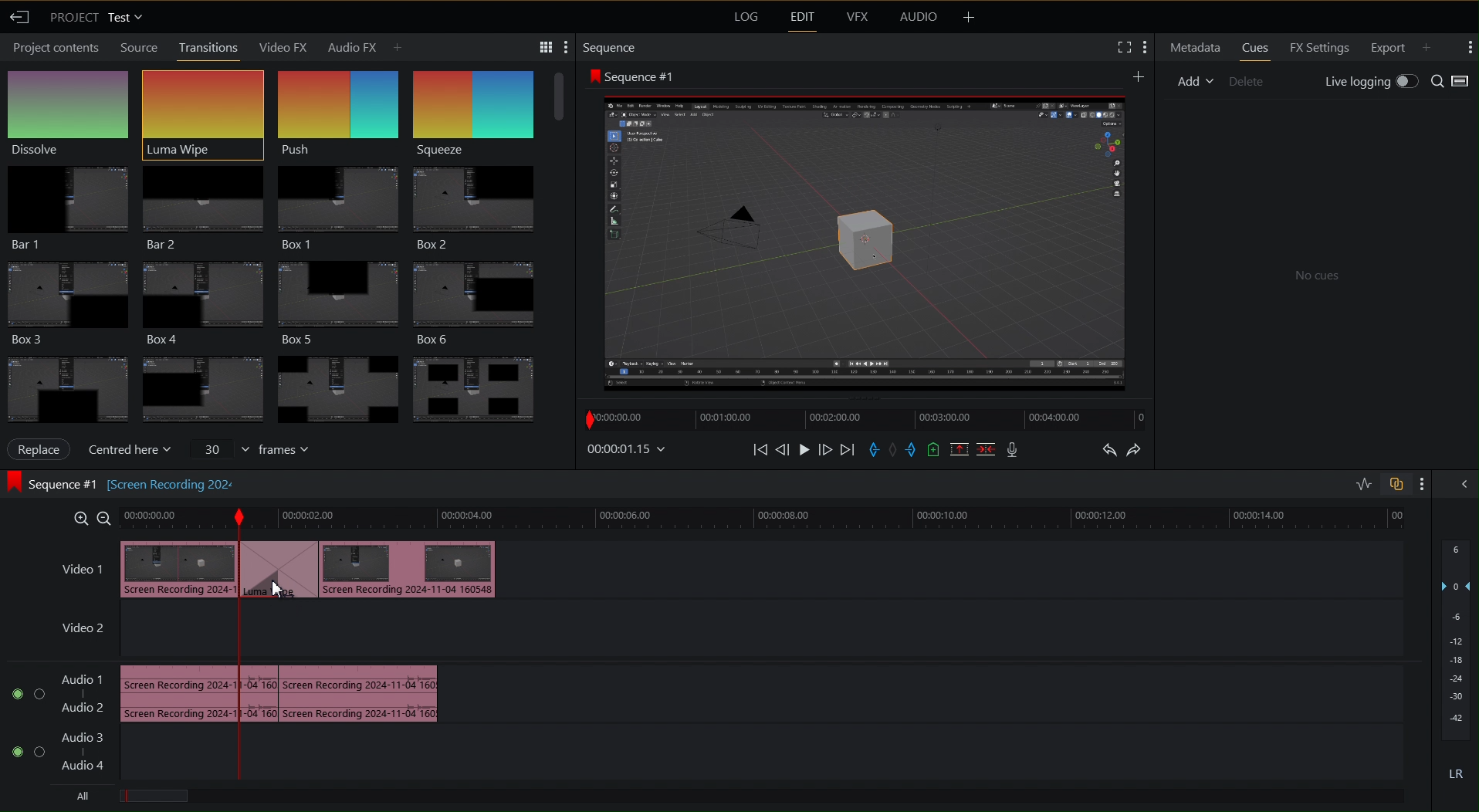  I want to click on Push, so click(339, 107).